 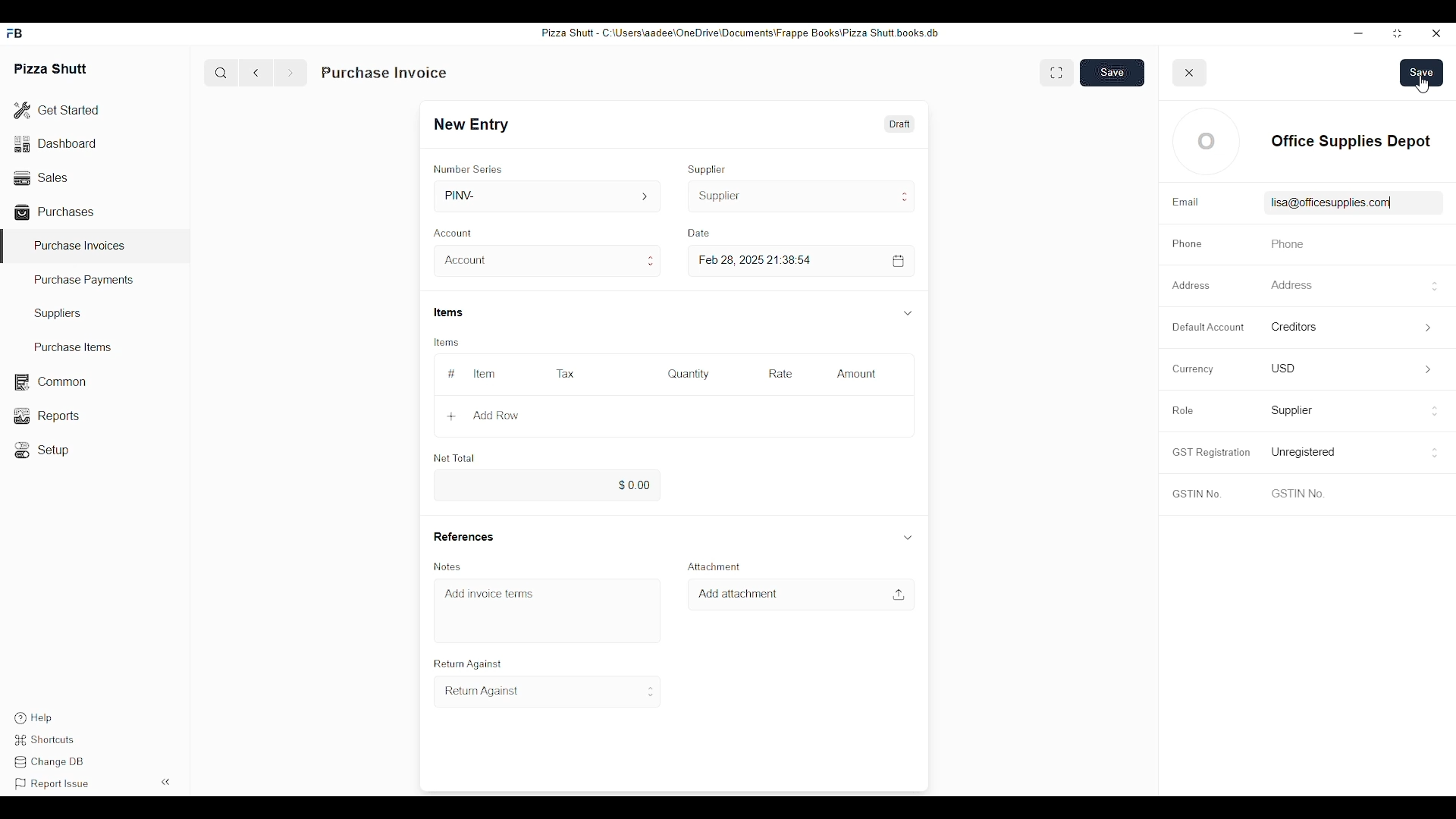 I want to click on Purchase Payments, so click(x=85, y=281).